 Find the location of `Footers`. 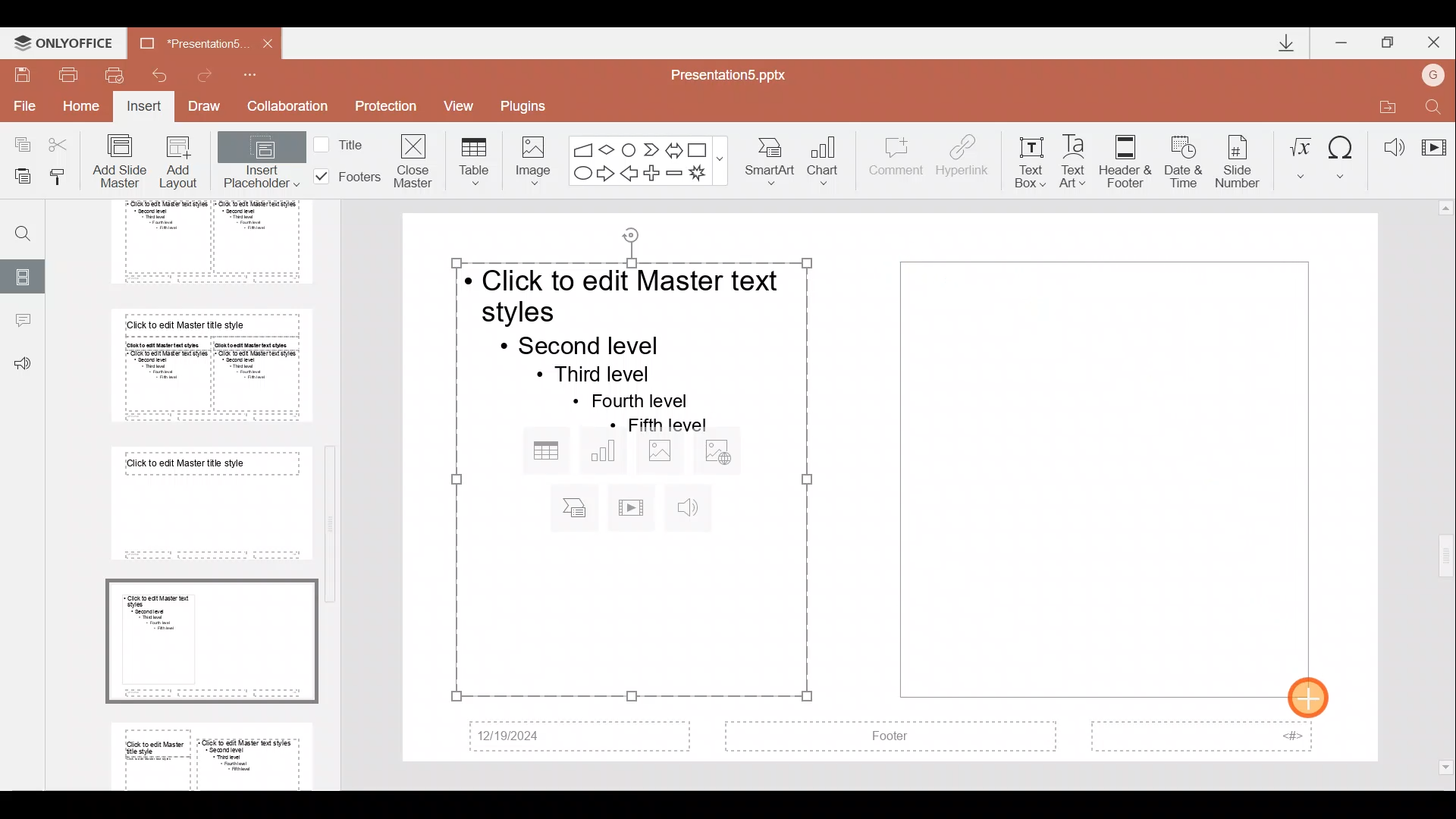

Footers is located at coordinates (345, 177).